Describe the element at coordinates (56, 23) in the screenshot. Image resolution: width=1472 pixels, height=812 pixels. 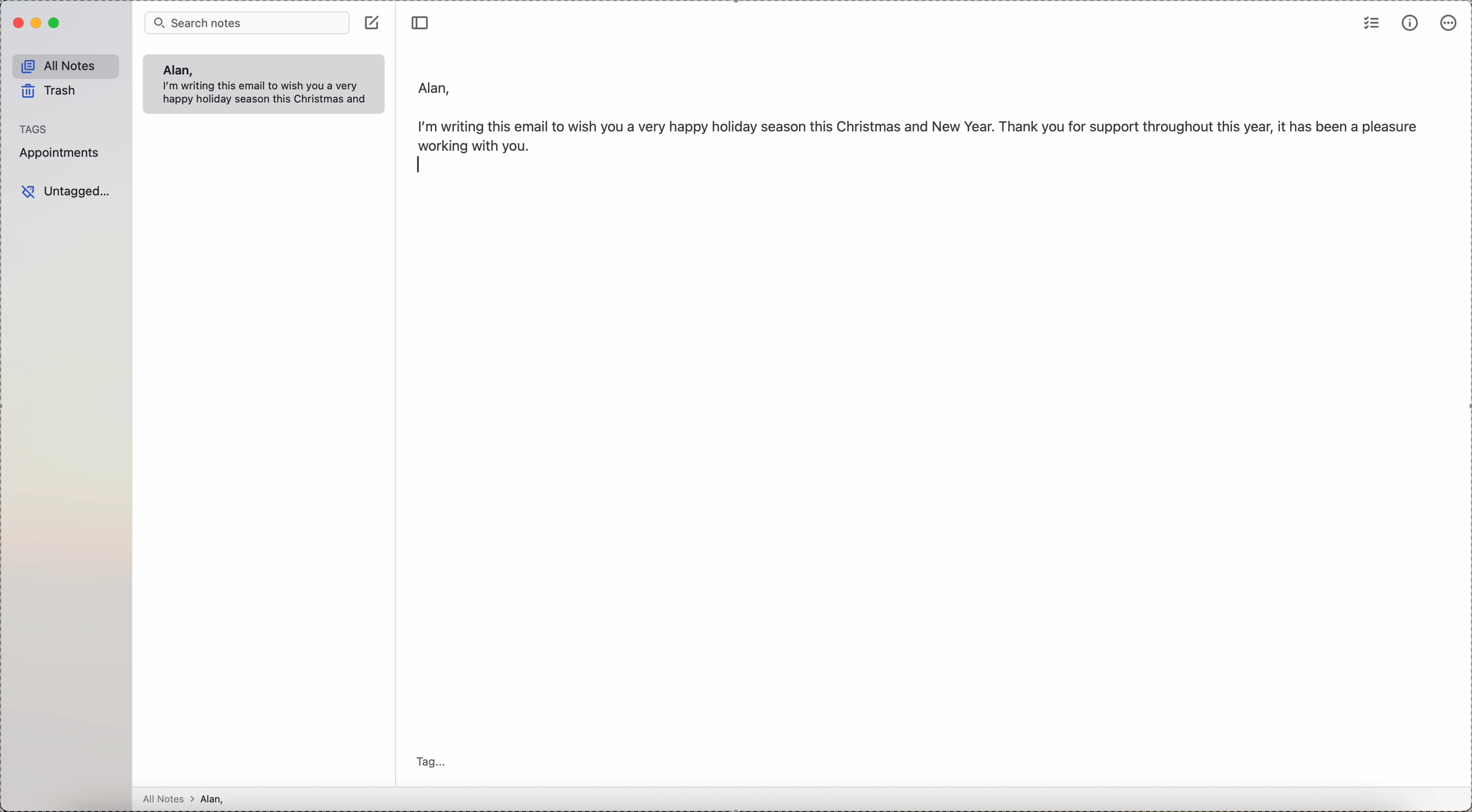
I see `maximize` at that location.